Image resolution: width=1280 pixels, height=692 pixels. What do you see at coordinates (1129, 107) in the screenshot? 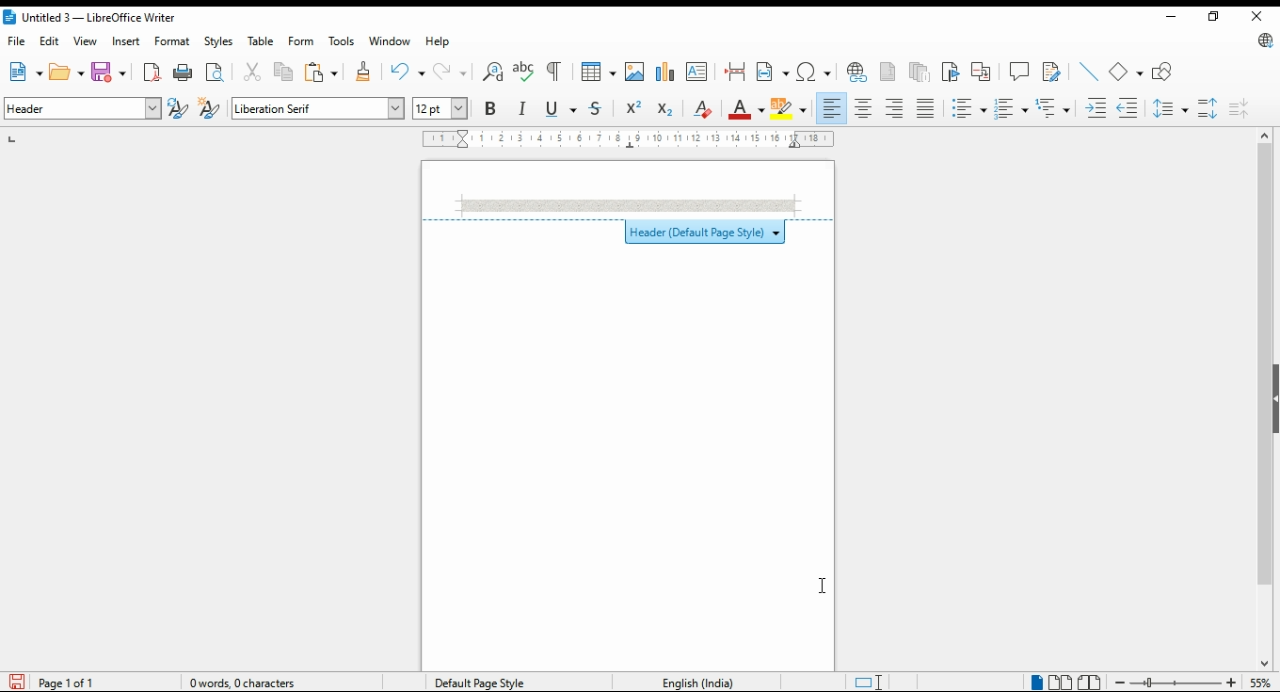
I see `decrease indent` at bounding box center [1129, 107].